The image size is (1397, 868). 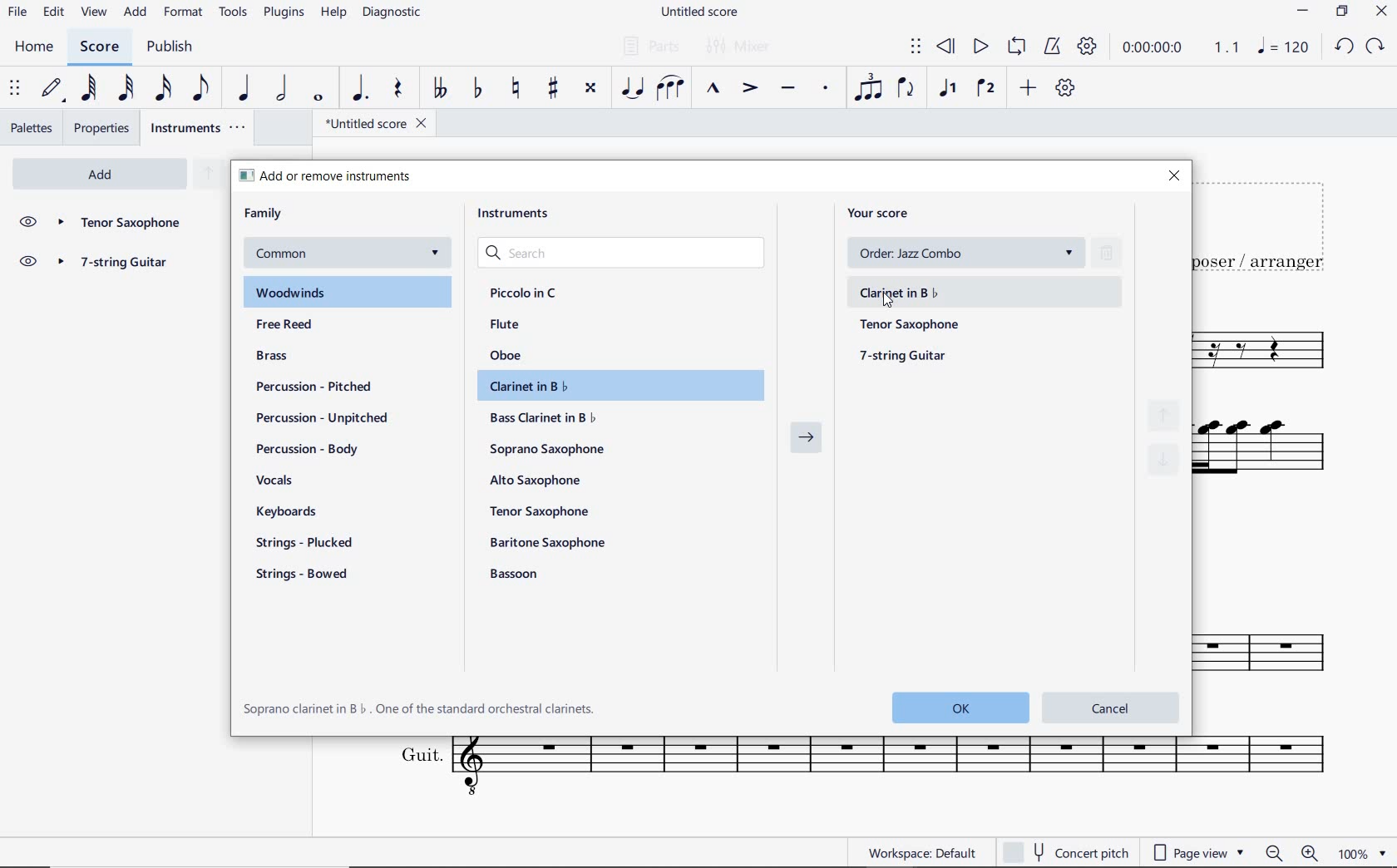 I want to click on CUSTOMIZE TOOLBAR, so click(x=1064, y=88).